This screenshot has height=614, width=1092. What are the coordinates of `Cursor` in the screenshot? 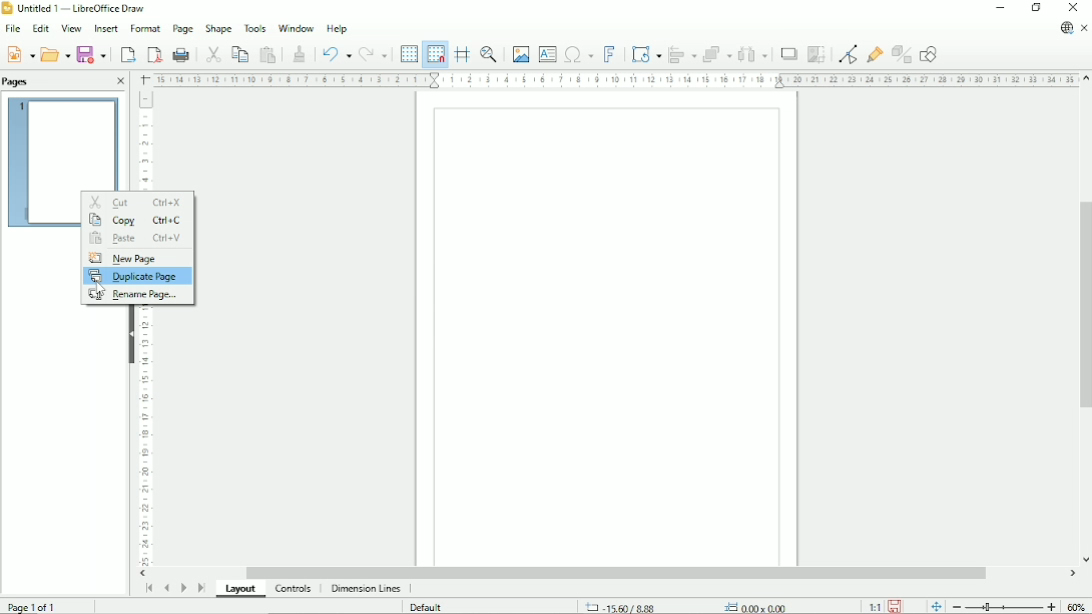 It's located at (100, 287).